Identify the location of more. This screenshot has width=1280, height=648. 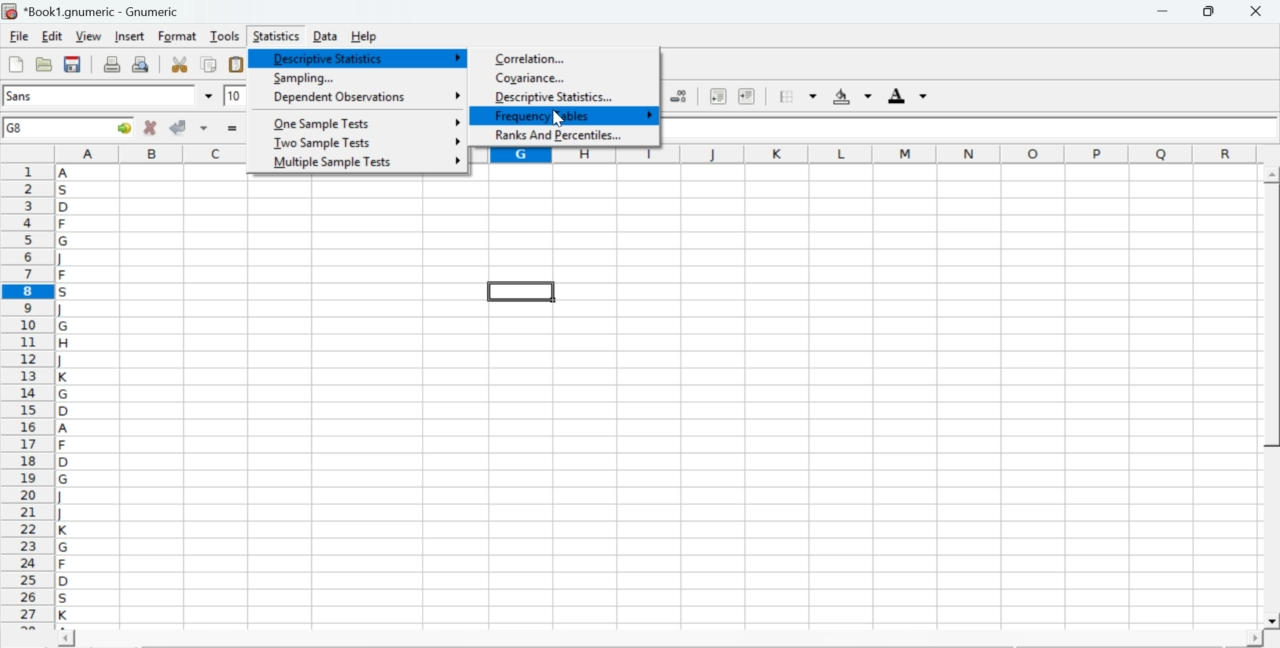
(457, 58).